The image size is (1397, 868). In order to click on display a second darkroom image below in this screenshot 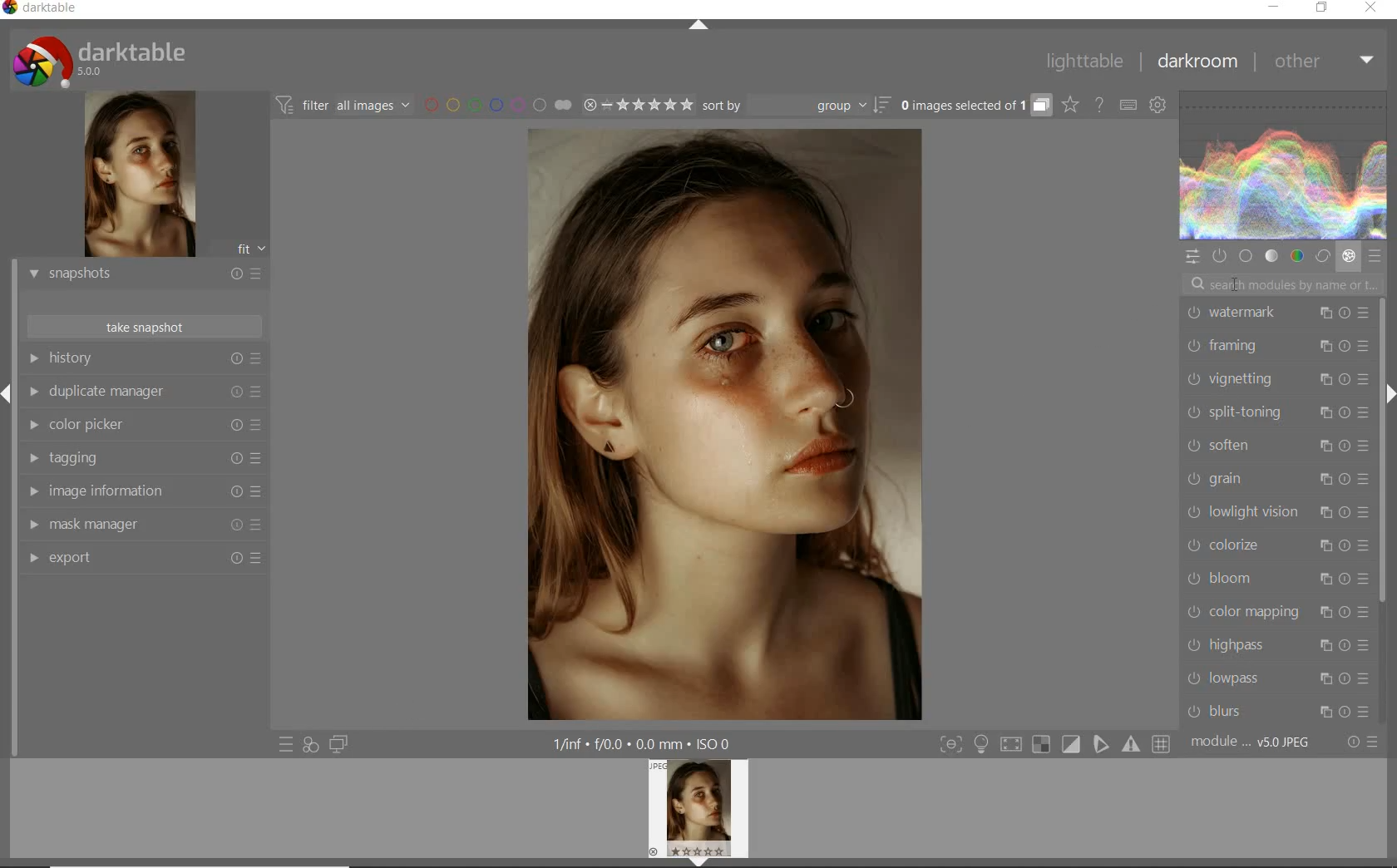, I will do `click(336, 745)`.